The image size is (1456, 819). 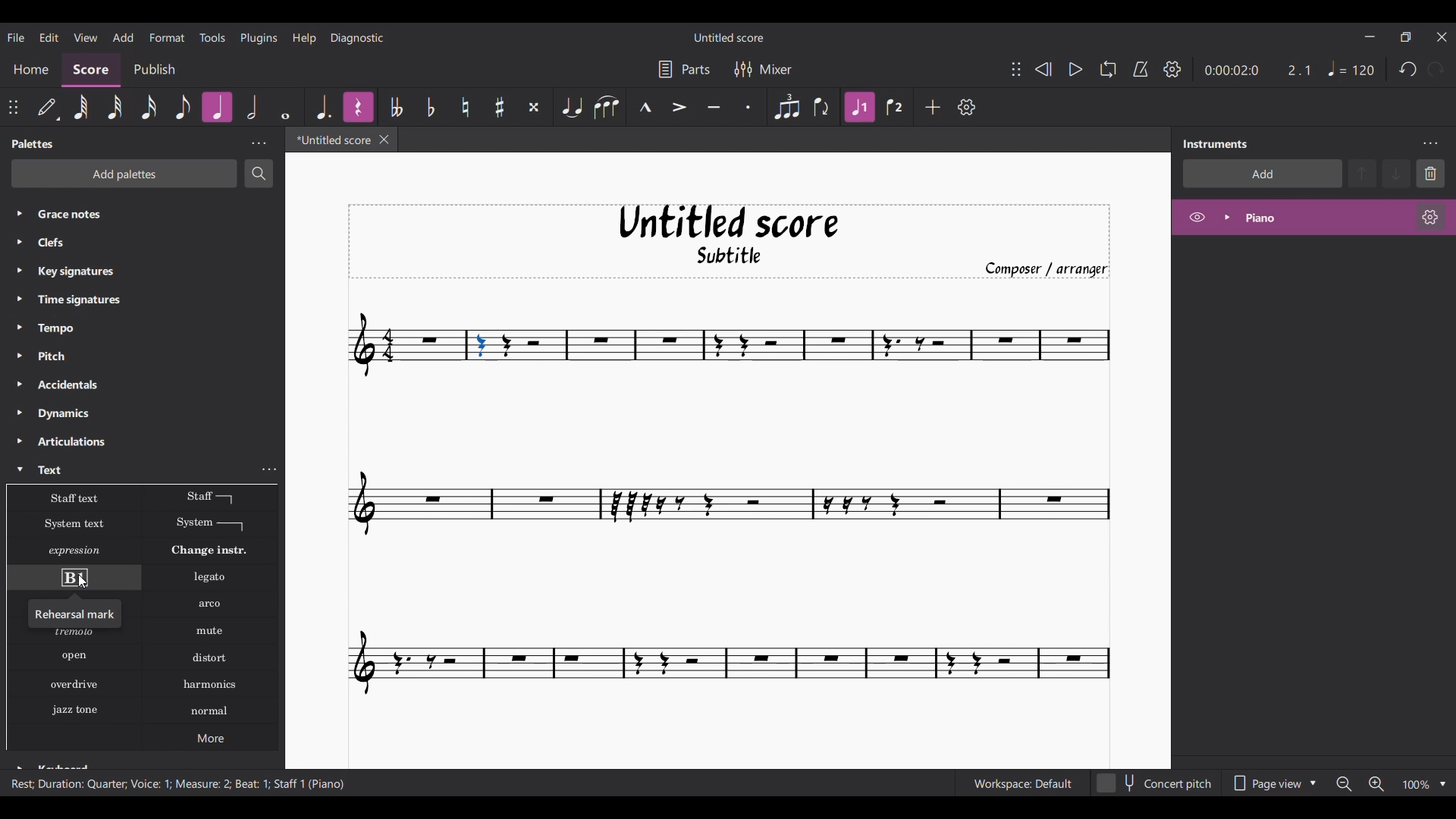 What do you see at coordinates (357, 38) in the screenshot?
I see `Diagnostic menu` at bounding box center [357, 38].